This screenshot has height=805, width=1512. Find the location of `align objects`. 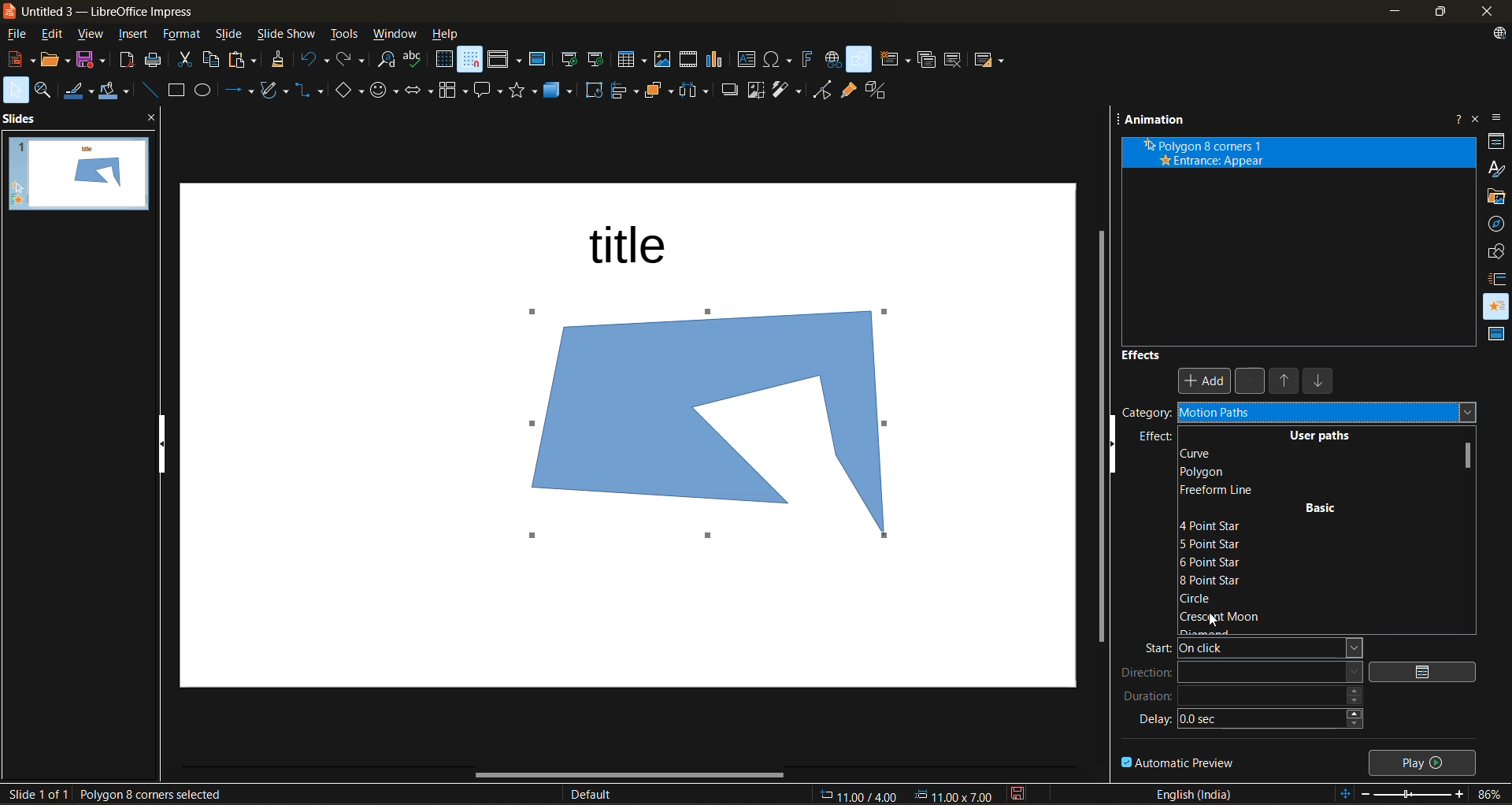

align objects is located at coordinates (623, 91).